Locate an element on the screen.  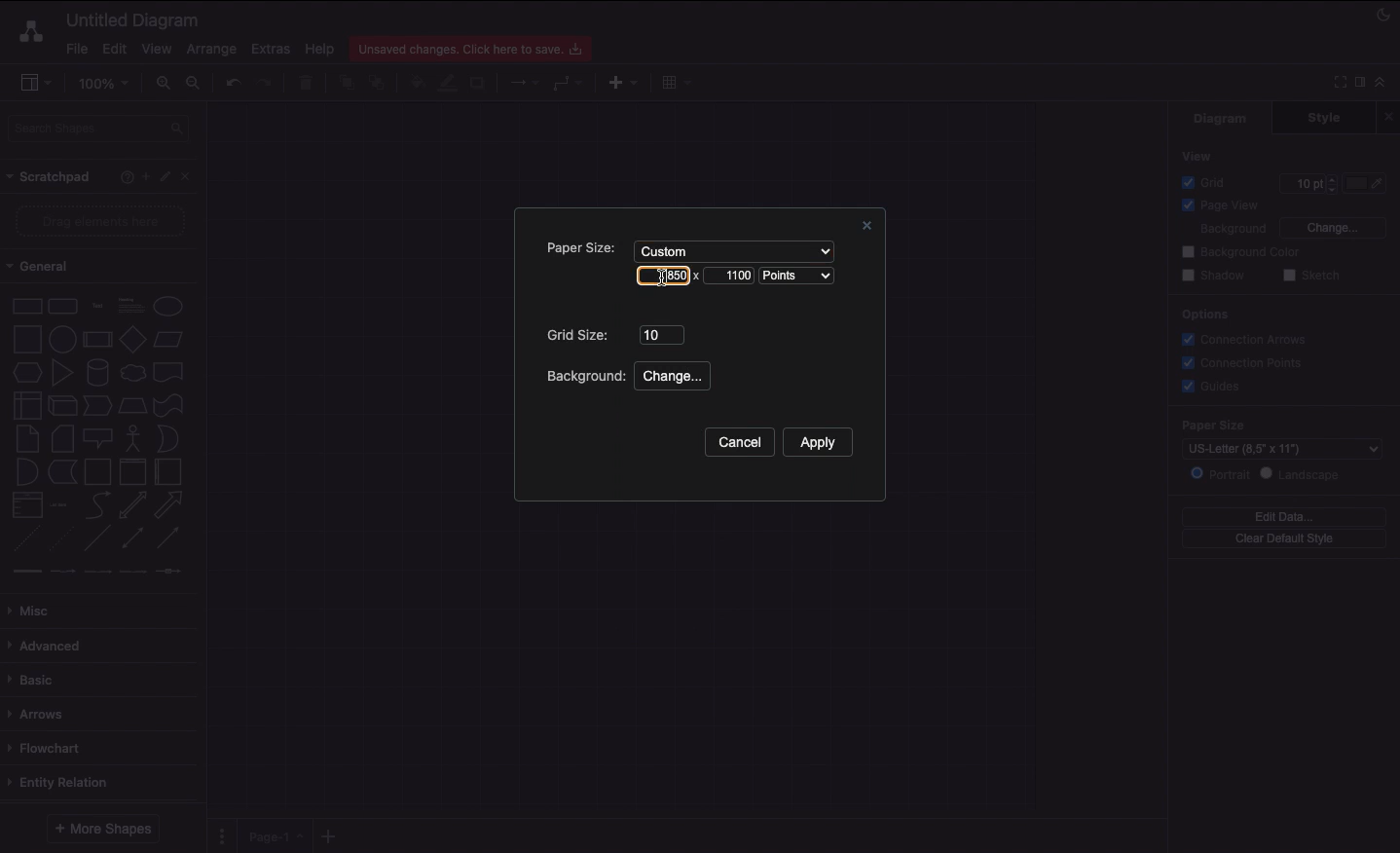
Change is located at coordinates (1332, 226).